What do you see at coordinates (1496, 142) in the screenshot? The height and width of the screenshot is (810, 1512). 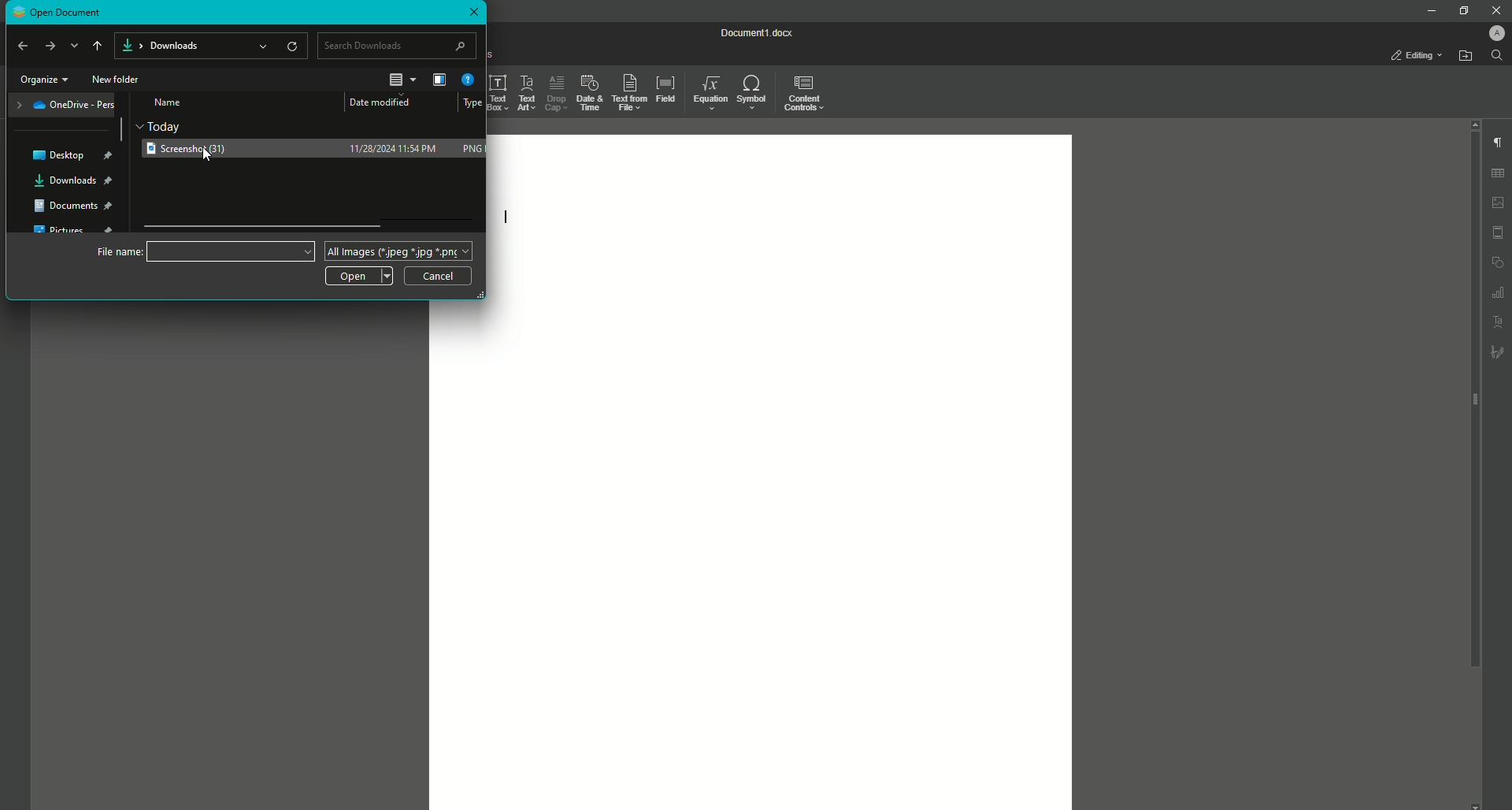 I see `Paragraph Settings` at bounding box center [1496, 142].